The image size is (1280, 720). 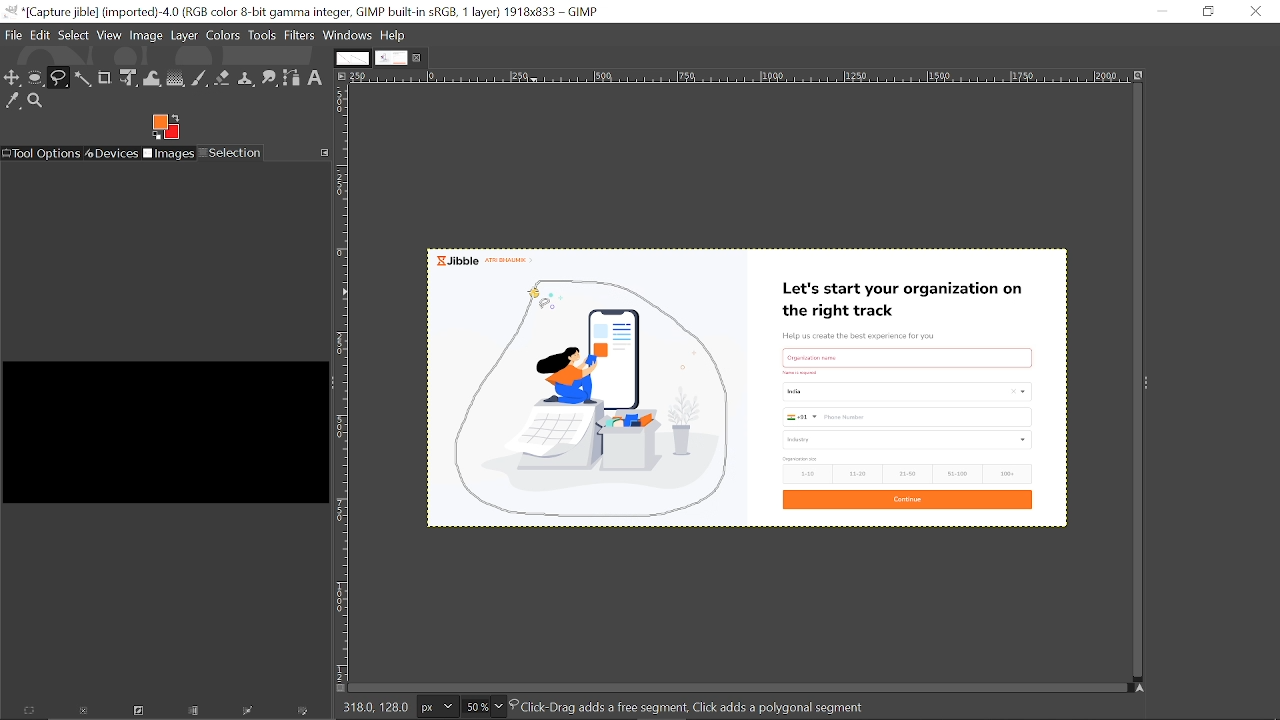 What do you see at coordinates (130, 79) in the screenshot?
I see `unified transform tool` at bounding box center [130, 79].